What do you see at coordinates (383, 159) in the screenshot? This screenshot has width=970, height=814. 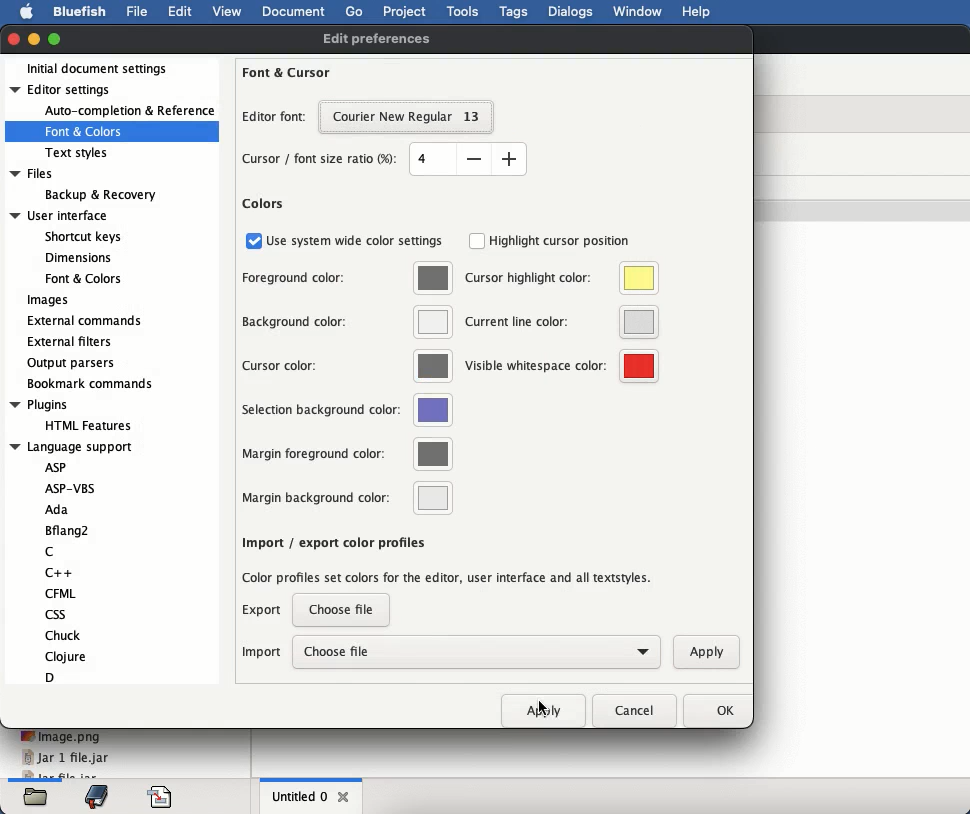 I see `cursor font ratio` at bounding box center [383, 159].